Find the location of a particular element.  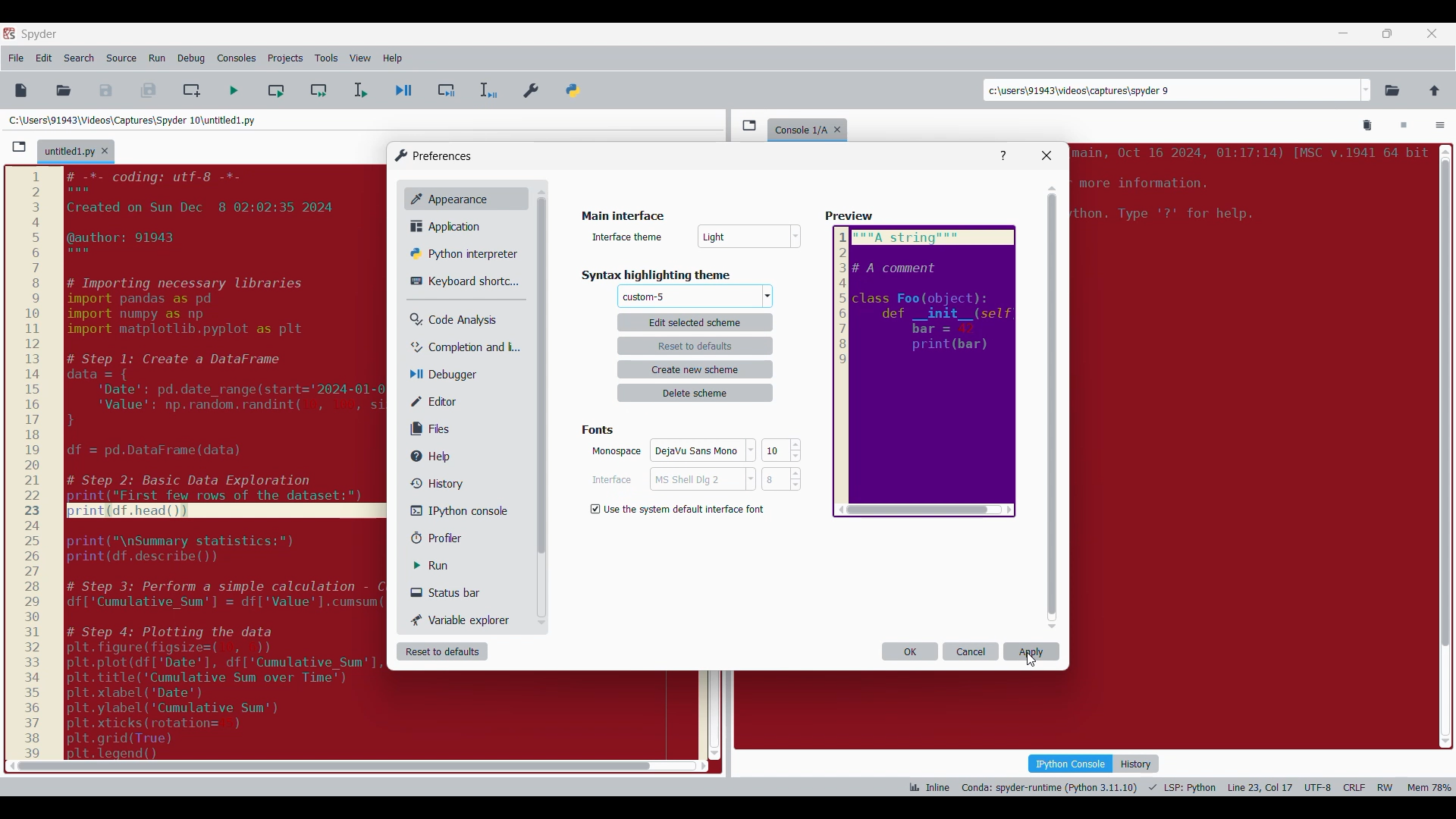

Profiler is located at coordinates (450, 538).